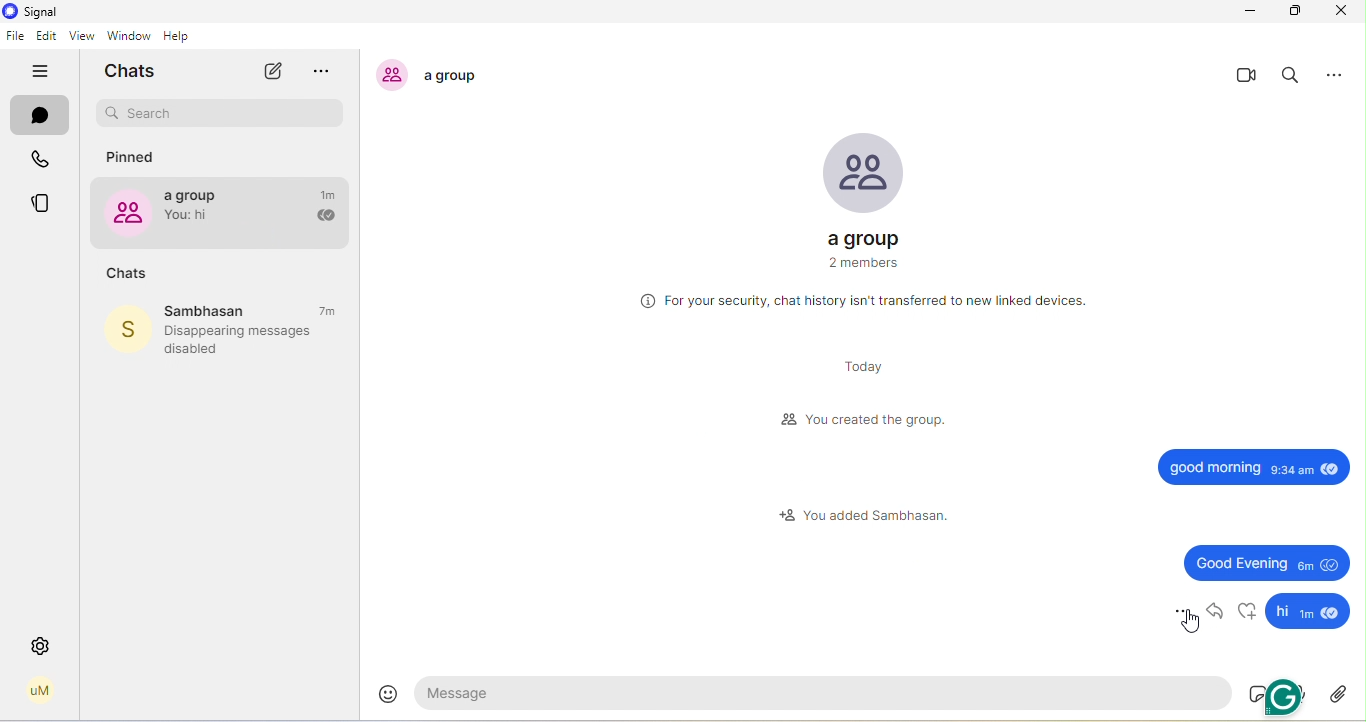 This screenshot has width=1366, height=722. Describe the element at coordinates (1246, 76) in the screenshot. I see `video call` at that location.